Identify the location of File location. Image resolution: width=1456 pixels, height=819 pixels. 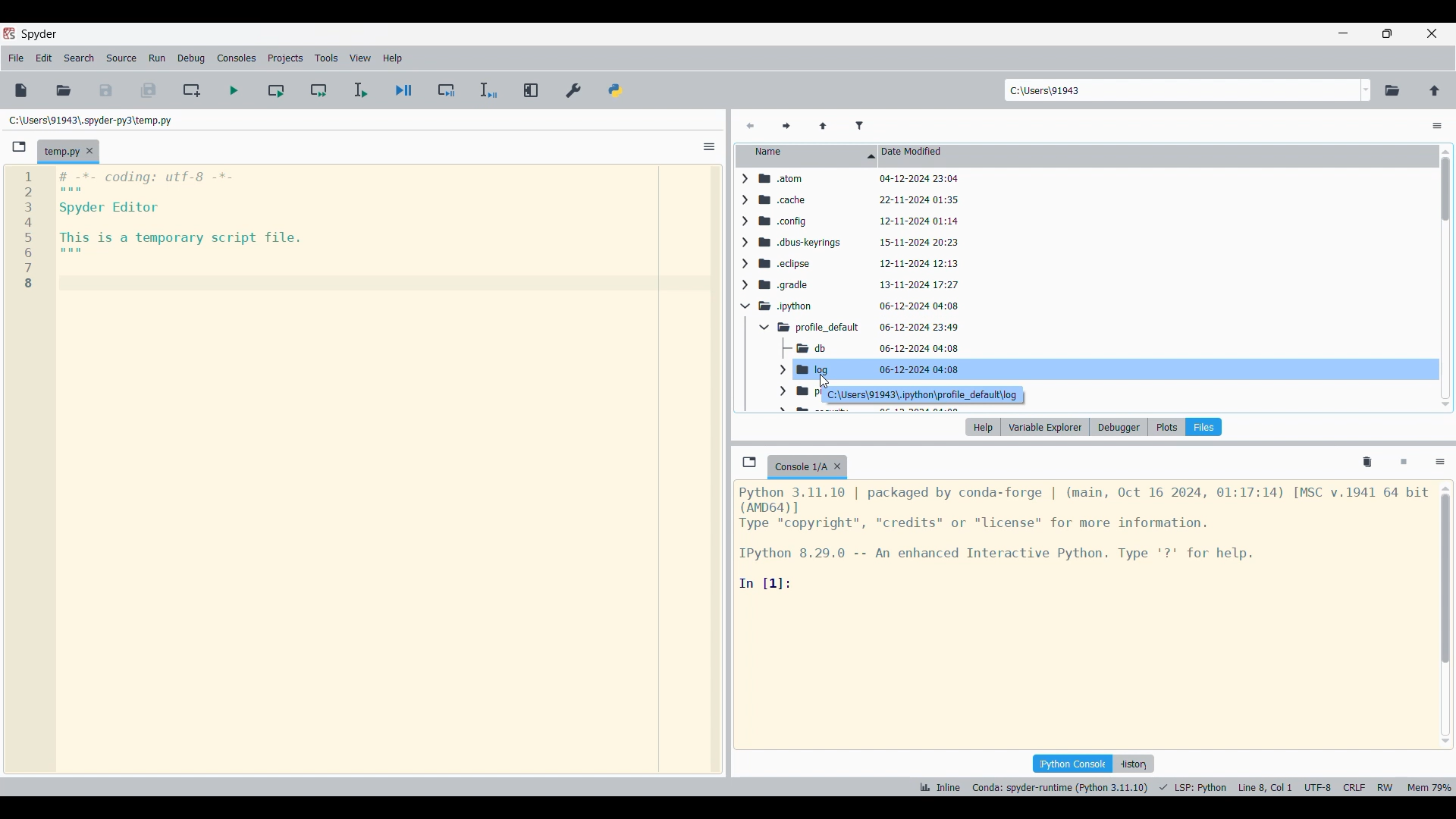
(91, 121).